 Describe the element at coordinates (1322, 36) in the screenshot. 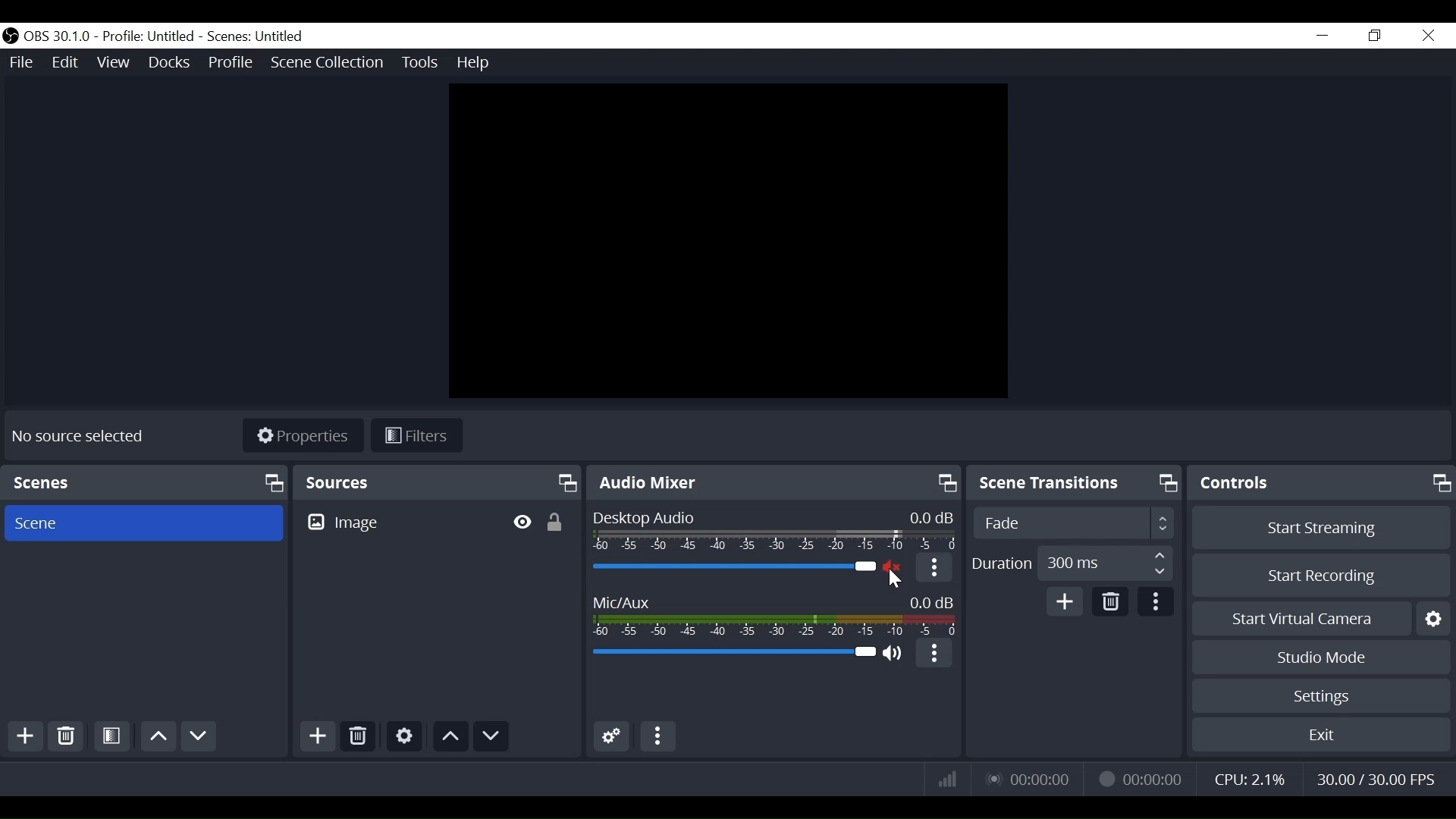

I see `minimize` at that location.